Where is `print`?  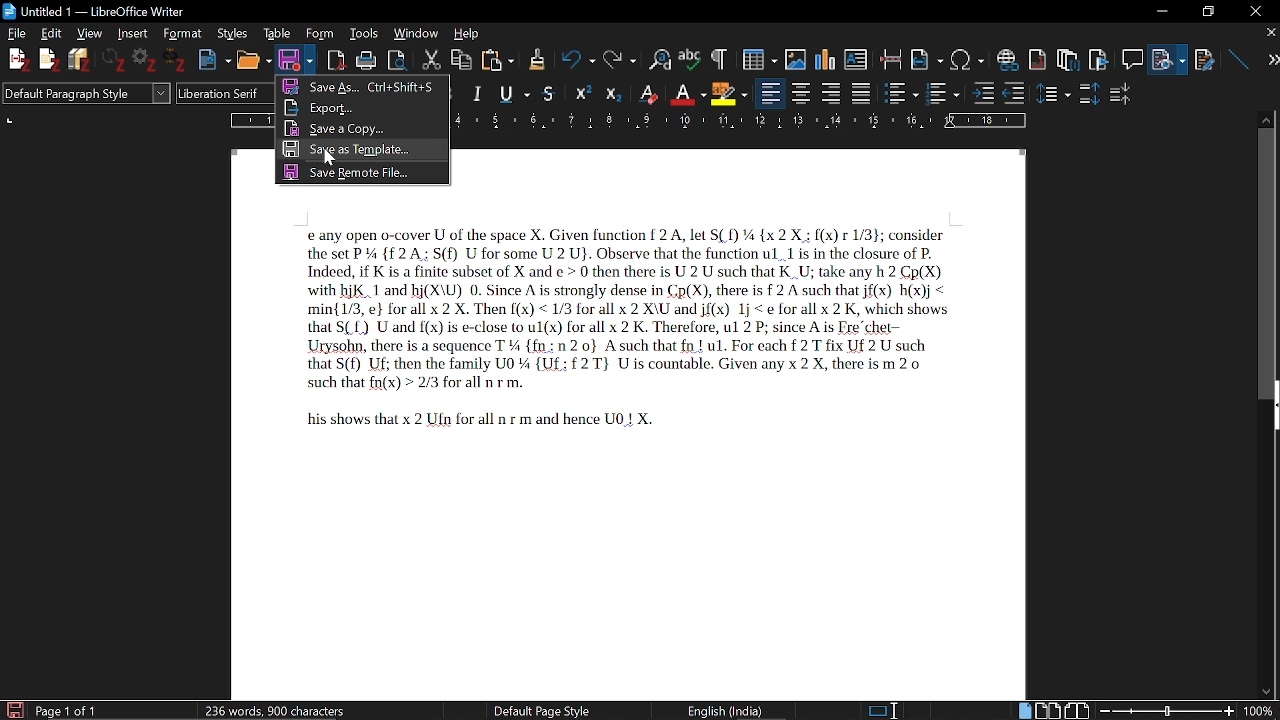
print is located at coordinates (366, 59).